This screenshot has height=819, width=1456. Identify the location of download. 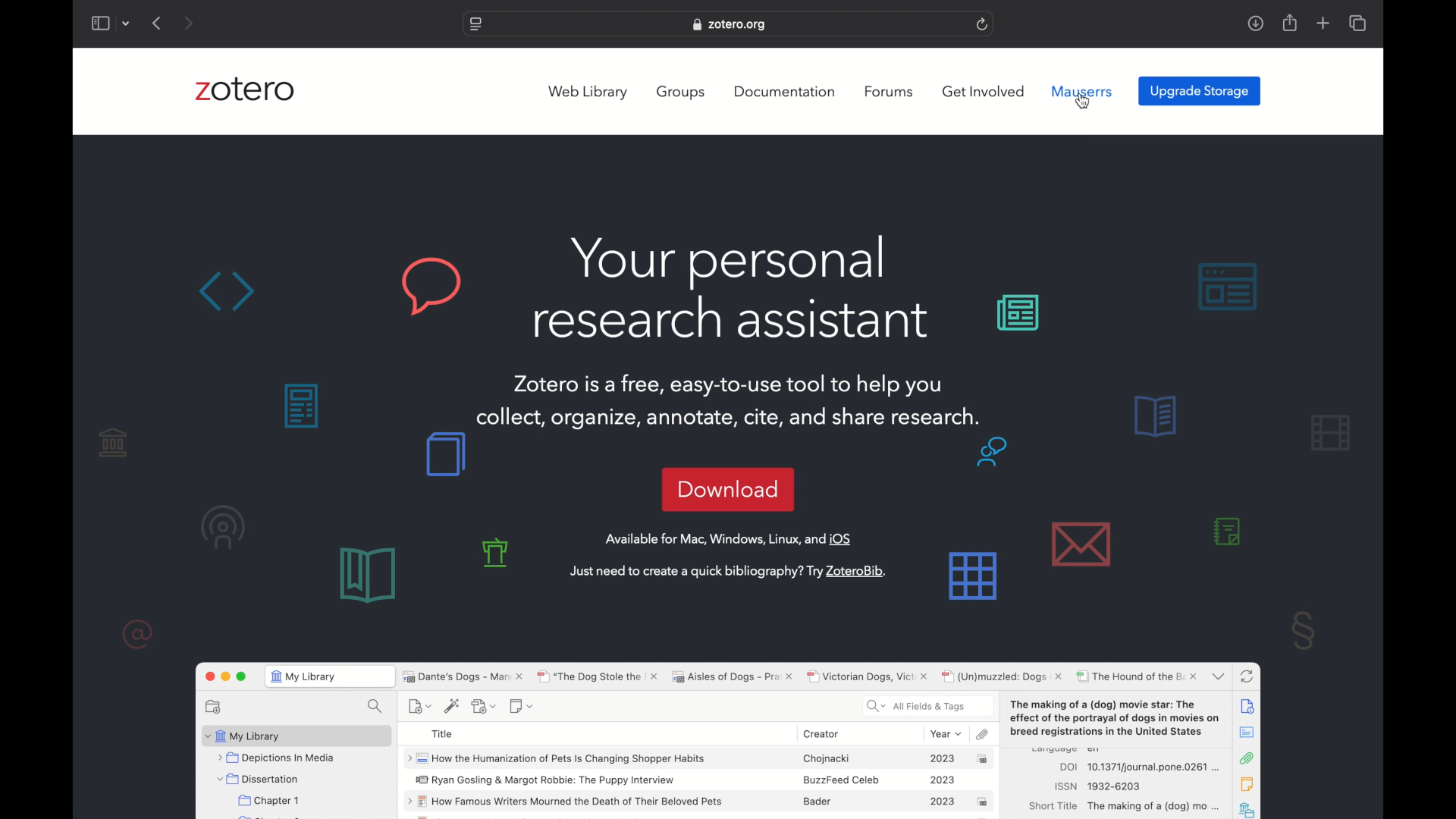
(727, 489).